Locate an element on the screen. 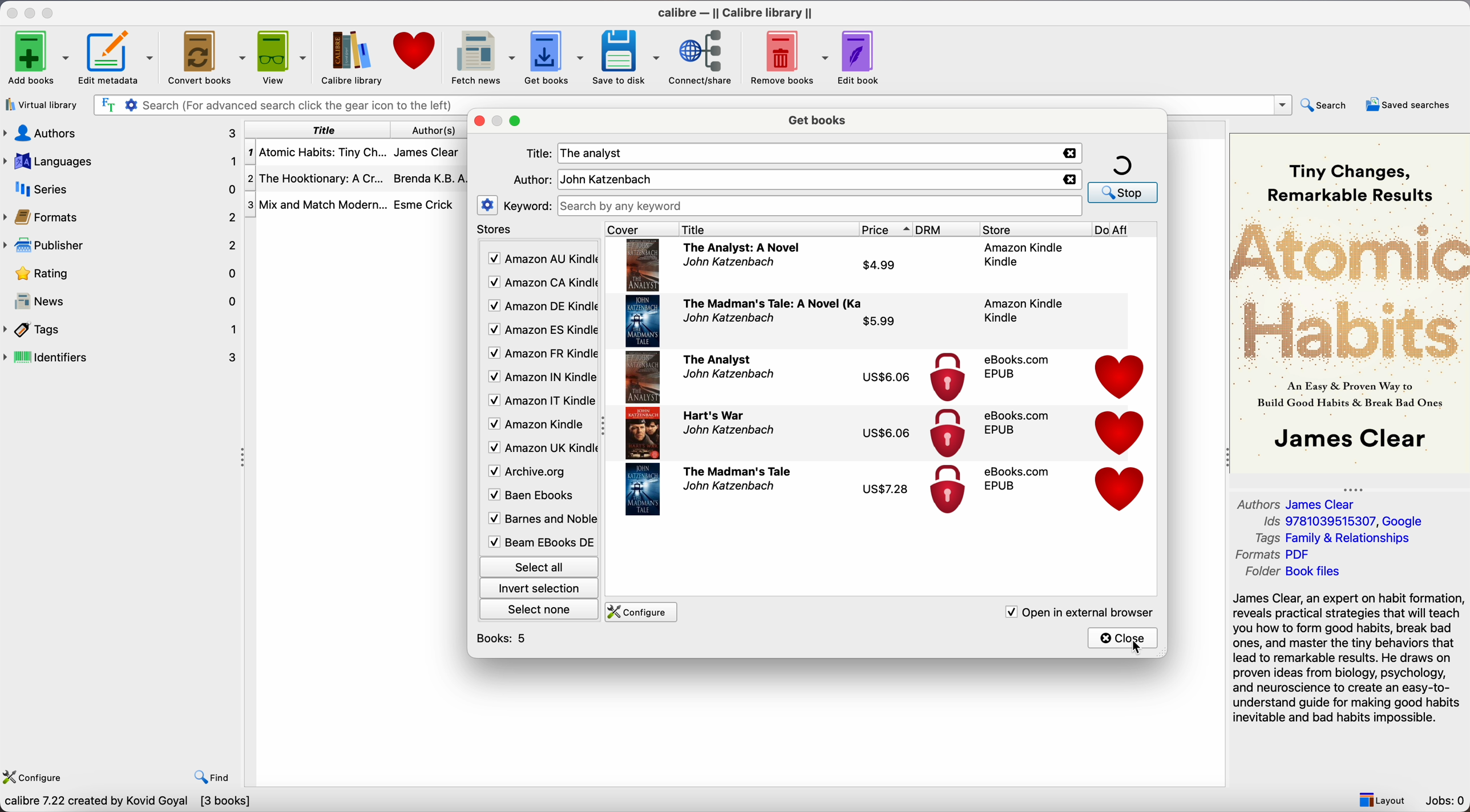 This screenshot has width=1470, height=812. Author: is located at coordinates (532, 180).